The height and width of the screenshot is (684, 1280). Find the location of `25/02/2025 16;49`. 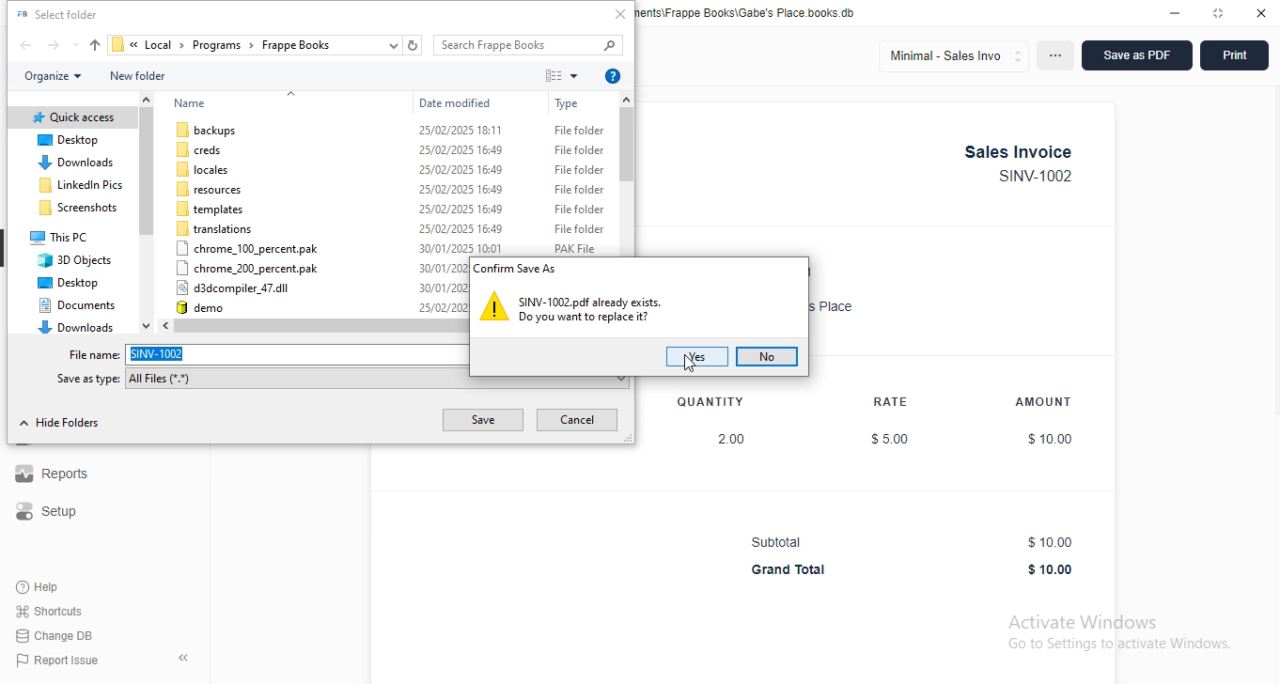

25/02/2025 16;49 is located at coordinates (460, 228).